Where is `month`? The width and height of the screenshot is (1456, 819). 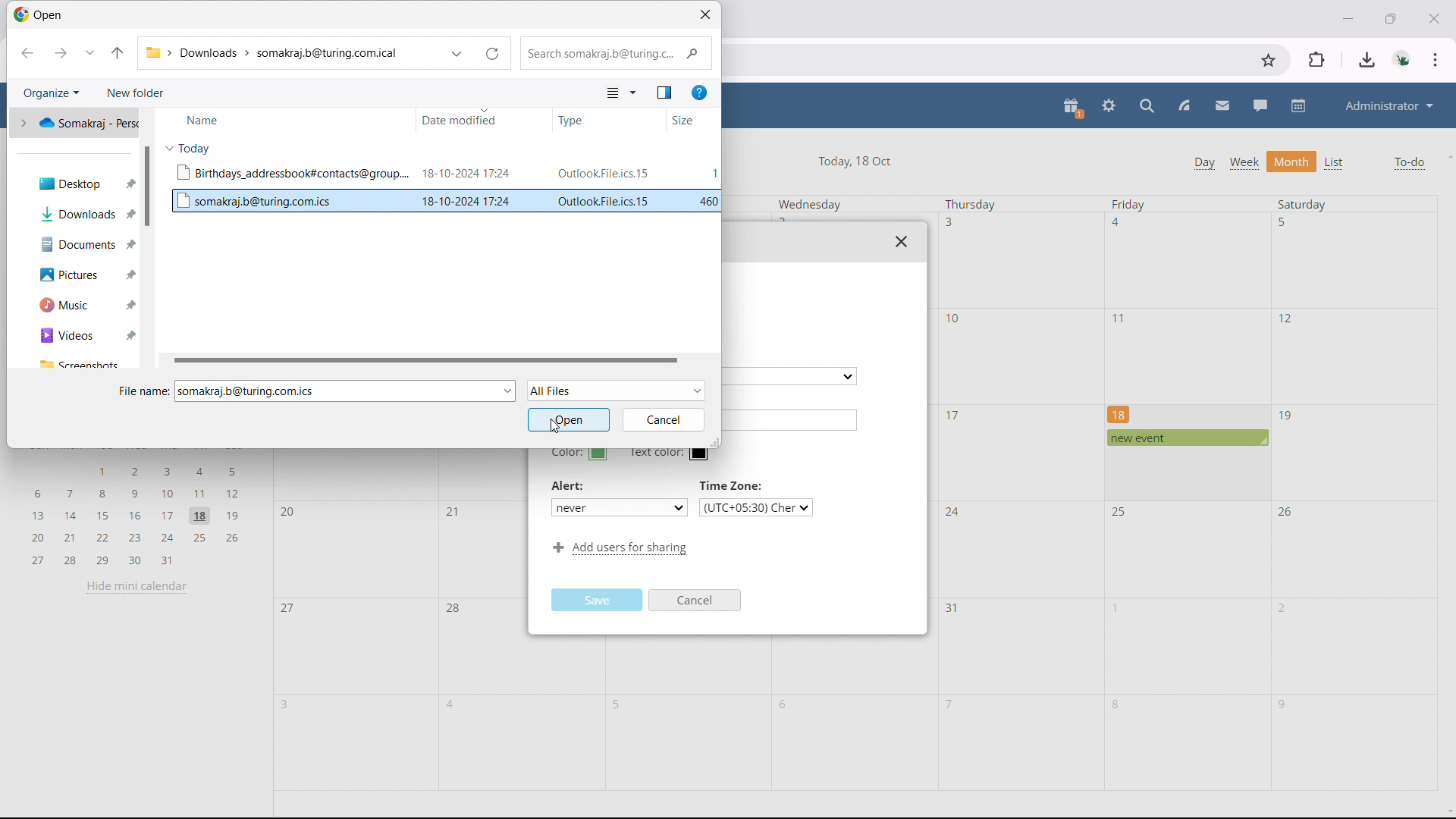 month is located at coordinates (1292, 162).